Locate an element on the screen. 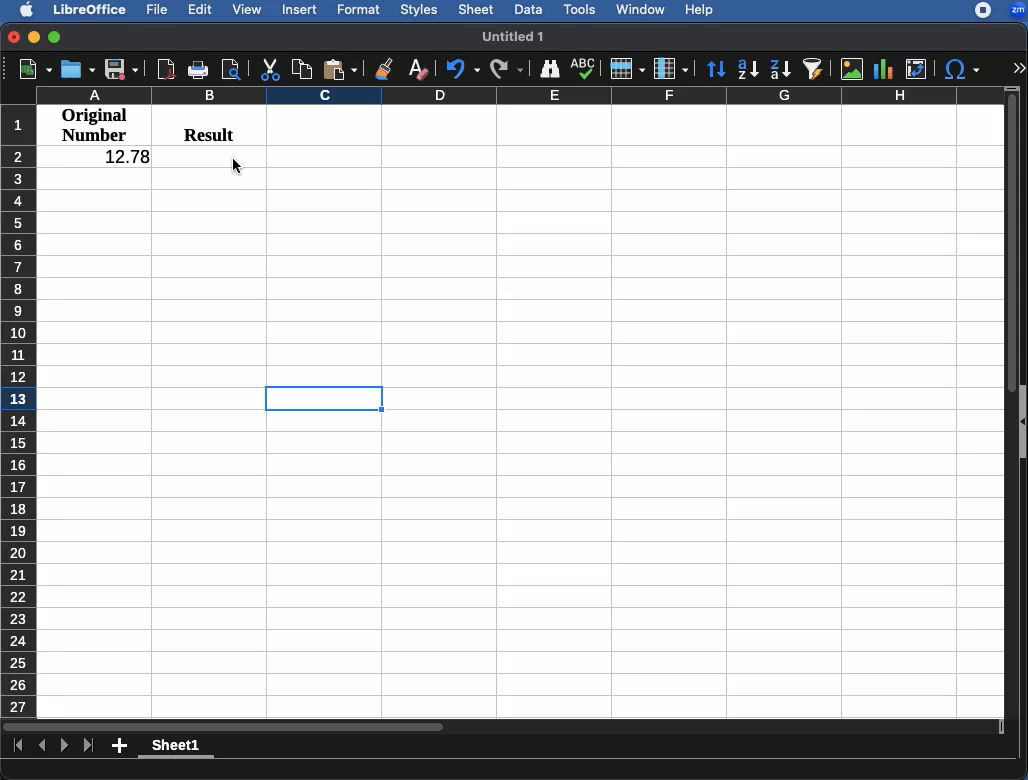 The width and height of the screenshot is (1028, 780). Format is located at coordinates (359, 9).